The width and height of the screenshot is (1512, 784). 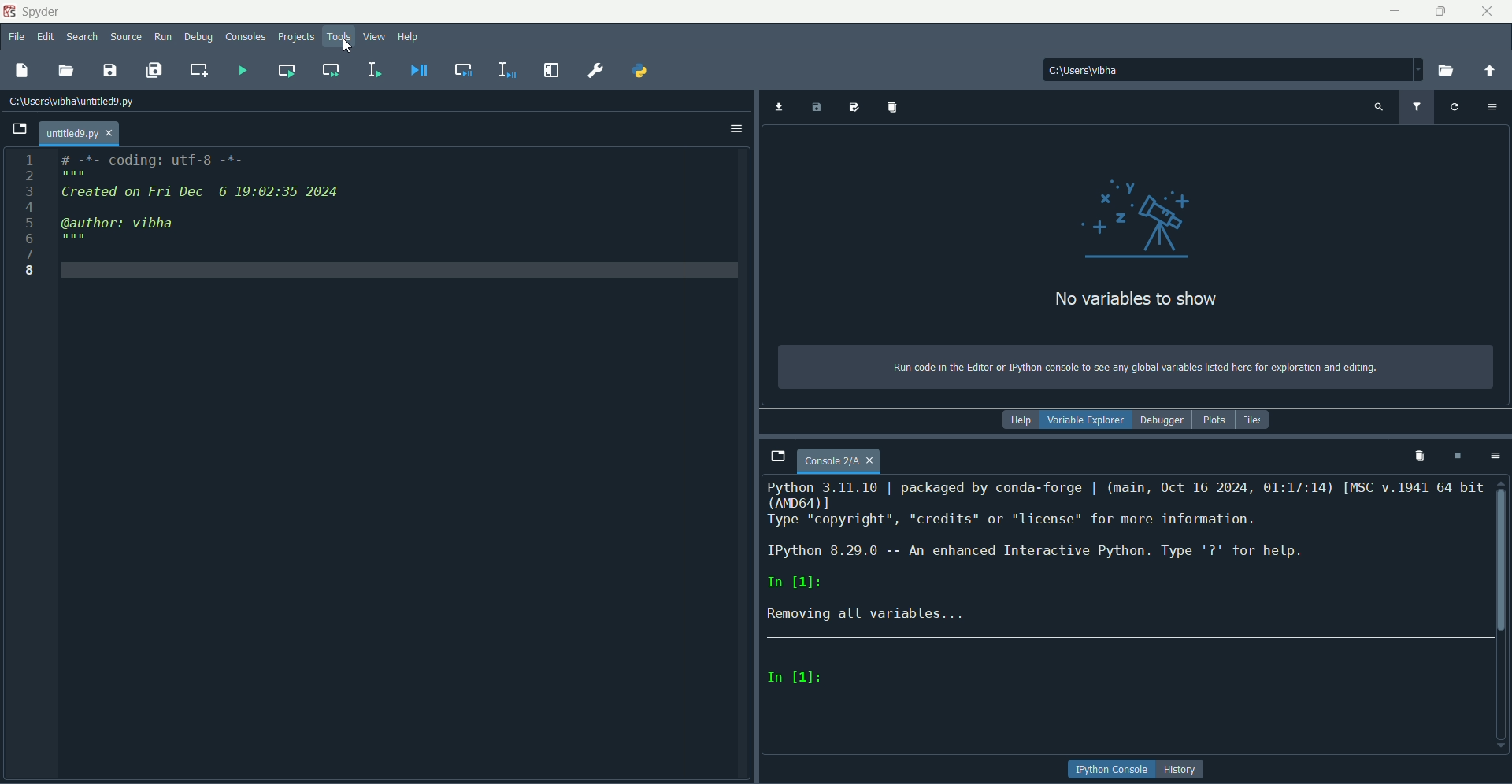 I want to click on debug, so click(x=199, y=38).